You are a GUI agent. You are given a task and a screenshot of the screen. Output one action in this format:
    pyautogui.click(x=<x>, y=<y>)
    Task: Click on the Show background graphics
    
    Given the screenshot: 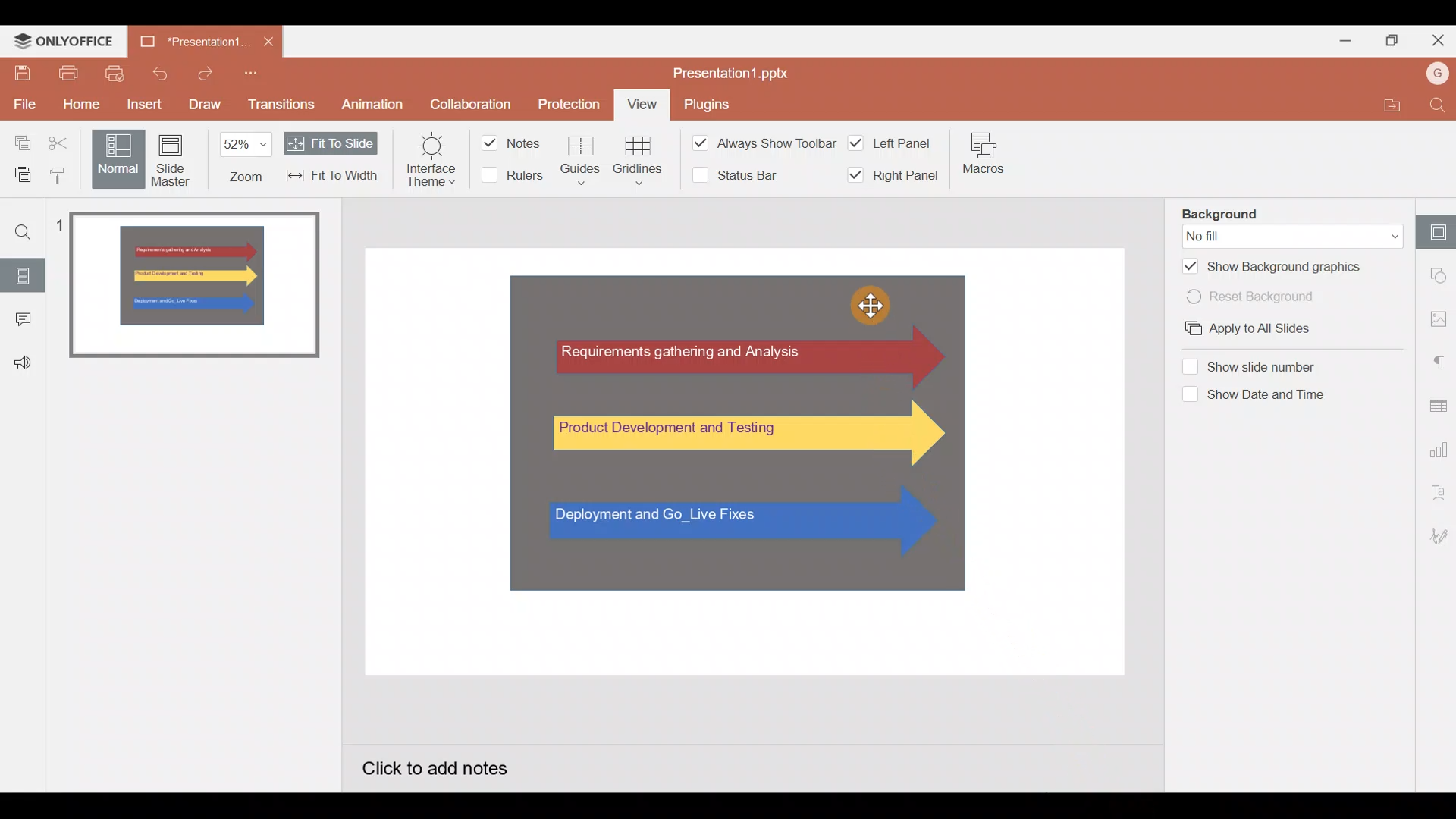 What is the action you would take?
    pyautogui.click(x=1274, y=265)
    